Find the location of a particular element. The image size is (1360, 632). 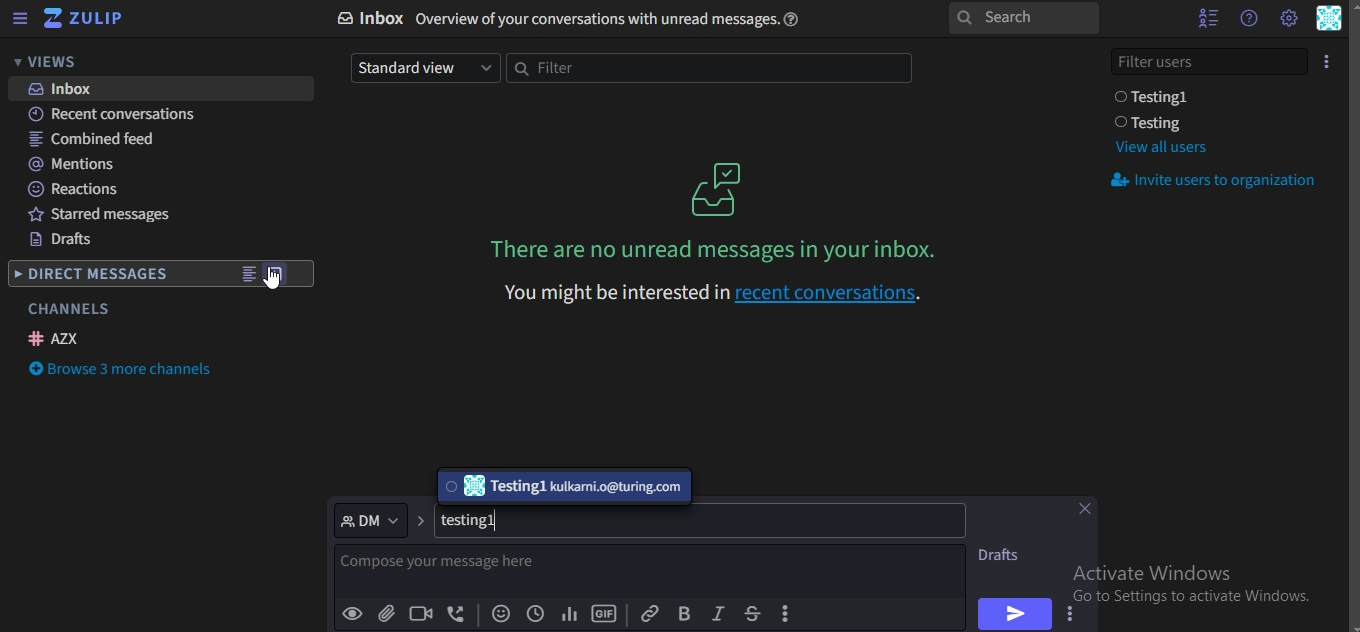

hide userlist is located at coordinates (1203, 18).